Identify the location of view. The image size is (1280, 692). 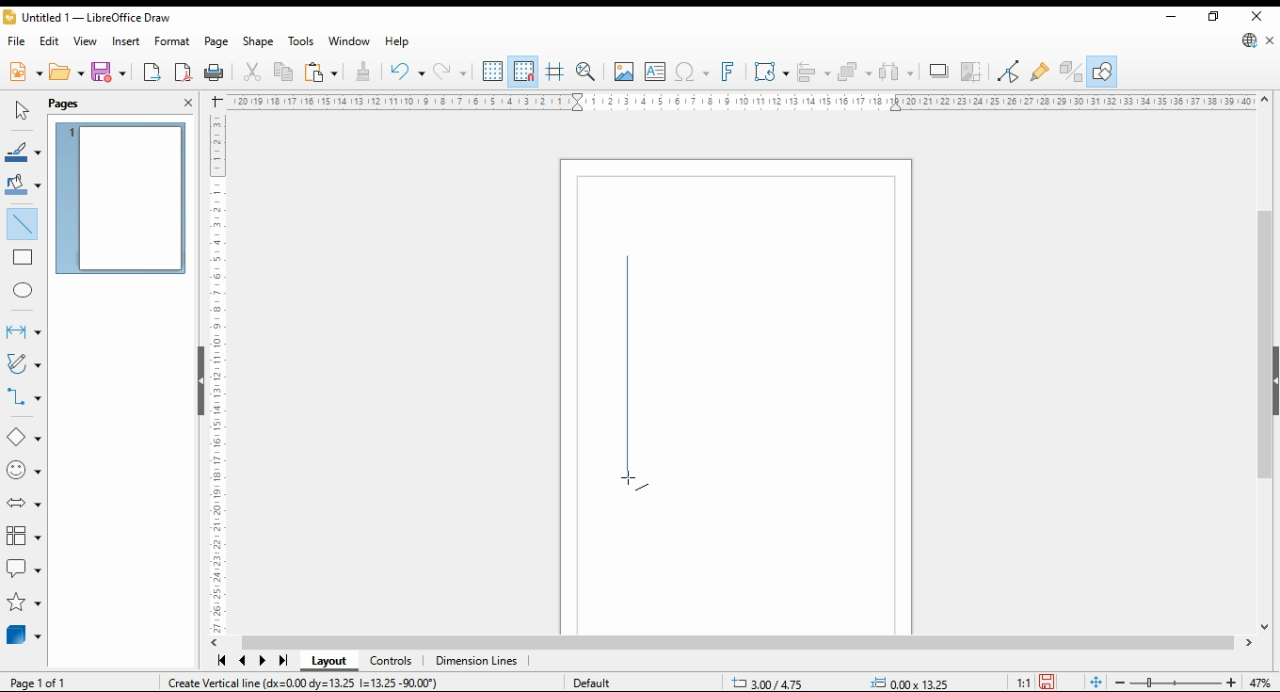
(86, 41).